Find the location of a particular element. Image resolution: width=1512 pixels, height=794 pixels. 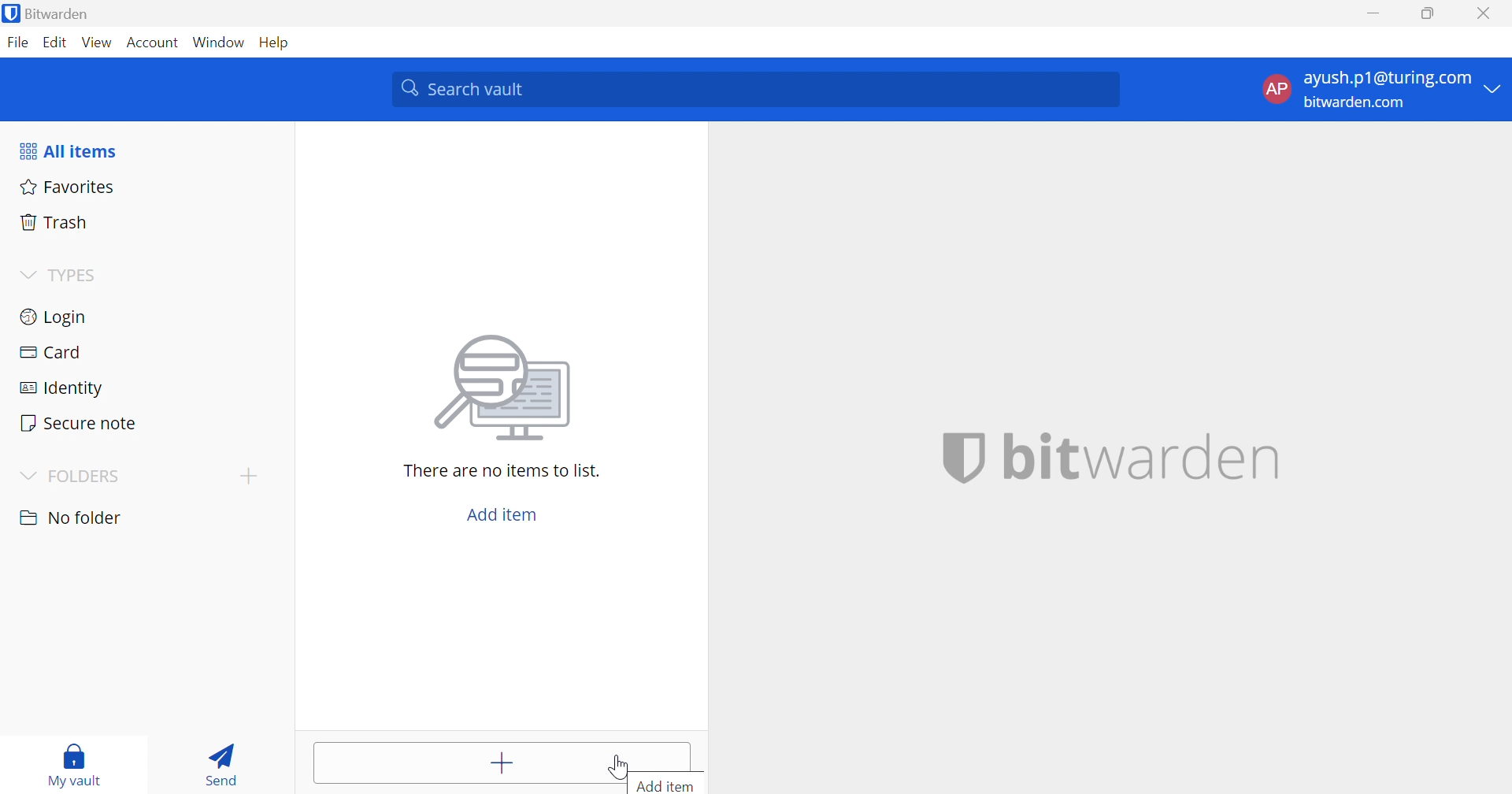

bitwarden is located at coordinates (1111, 458).